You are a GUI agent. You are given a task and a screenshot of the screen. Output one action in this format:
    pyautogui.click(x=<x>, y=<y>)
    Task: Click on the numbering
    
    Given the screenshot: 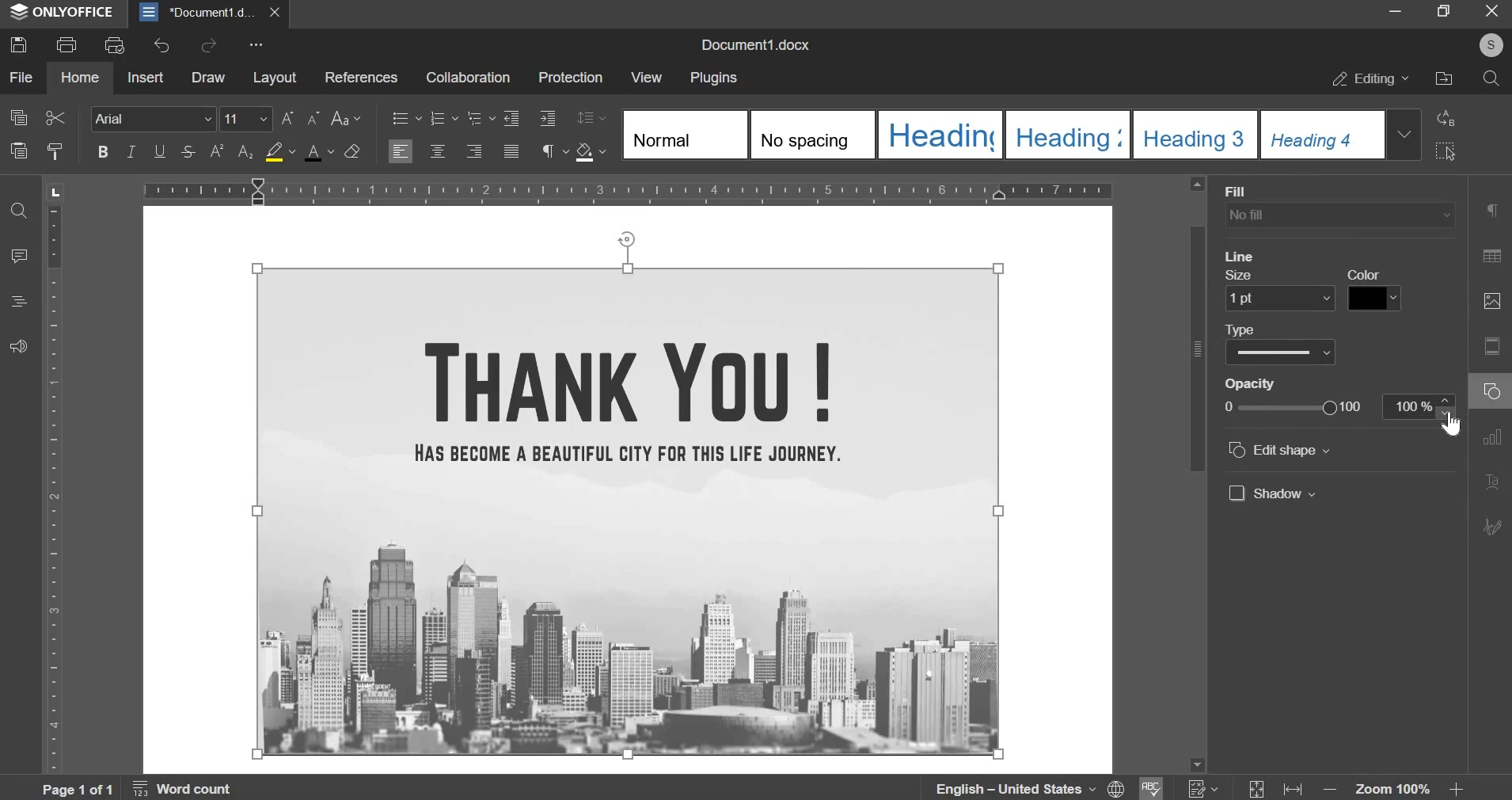 What is the action you would take?
    pyautogui.click(x=443, y=118)
    